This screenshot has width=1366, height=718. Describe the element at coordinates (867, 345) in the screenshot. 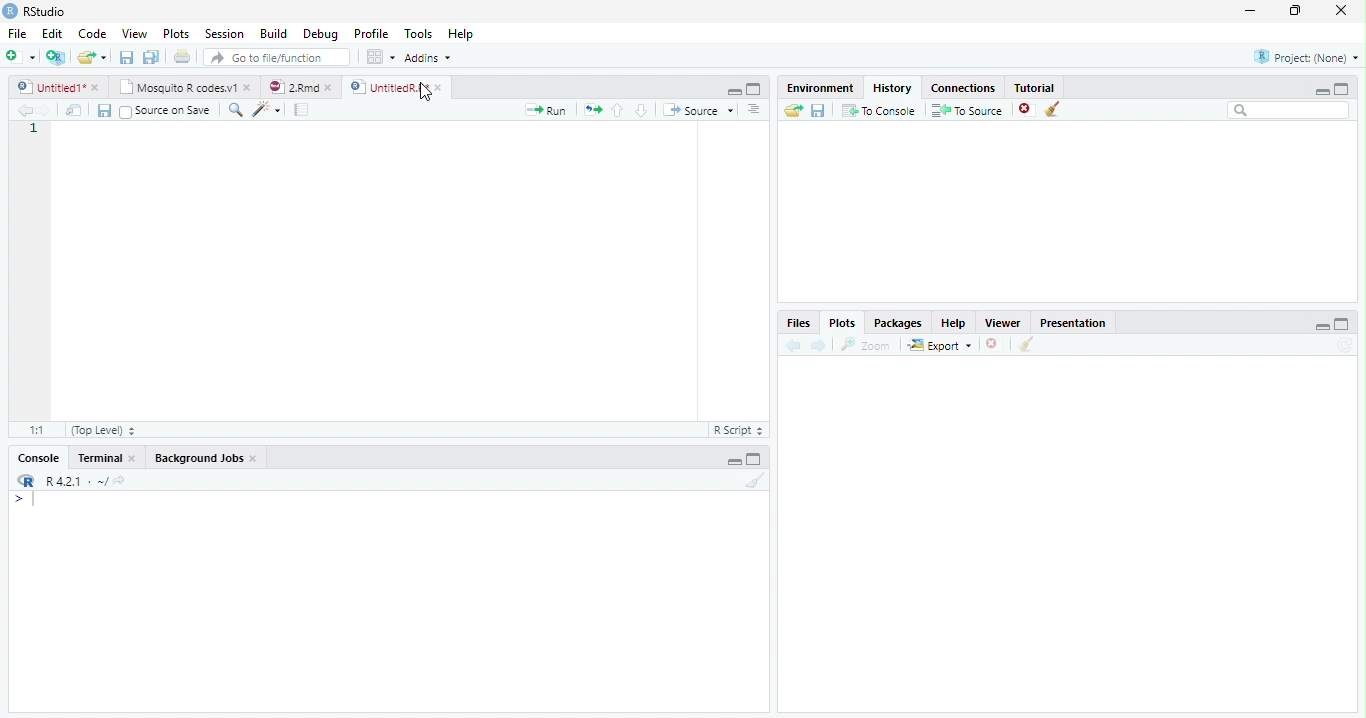

I see `Zoom` at that location.